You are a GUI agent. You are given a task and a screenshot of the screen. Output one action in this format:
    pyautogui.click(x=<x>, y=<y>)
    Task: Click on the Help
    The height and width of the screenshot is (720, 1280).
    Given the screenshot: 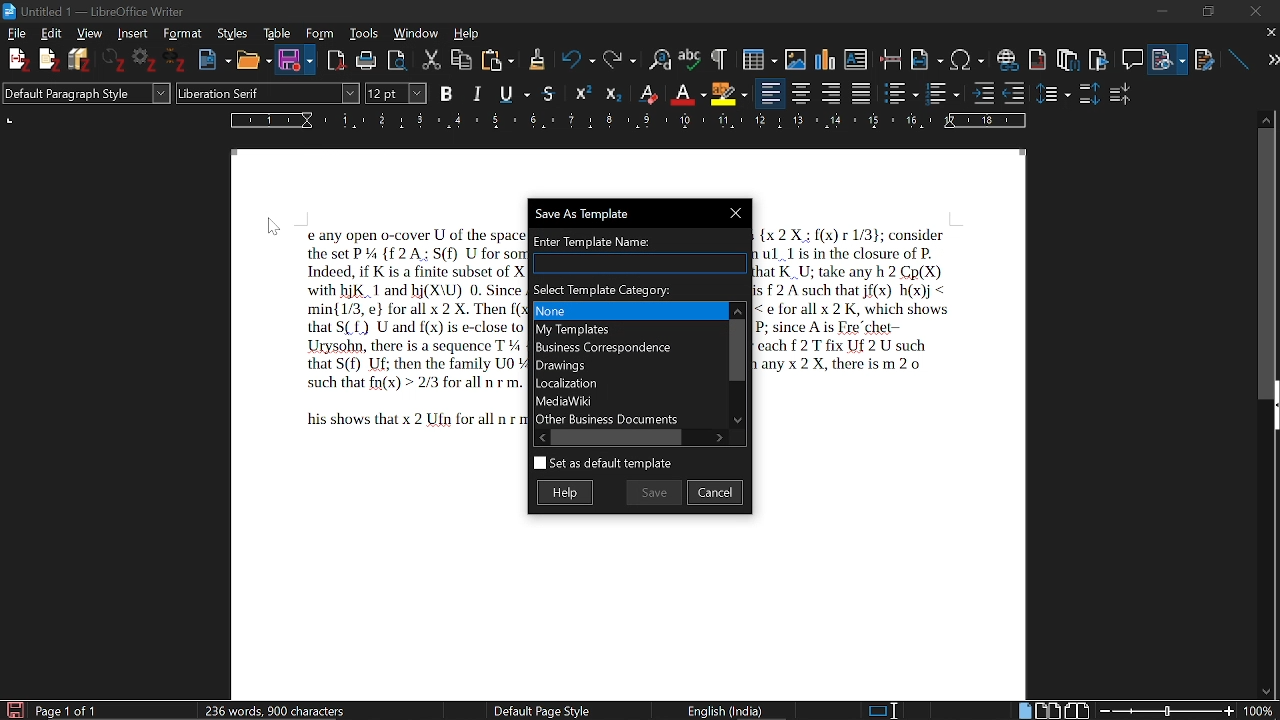 What is the action you would take?
    pyautogui.click(x=467, y=32)
    